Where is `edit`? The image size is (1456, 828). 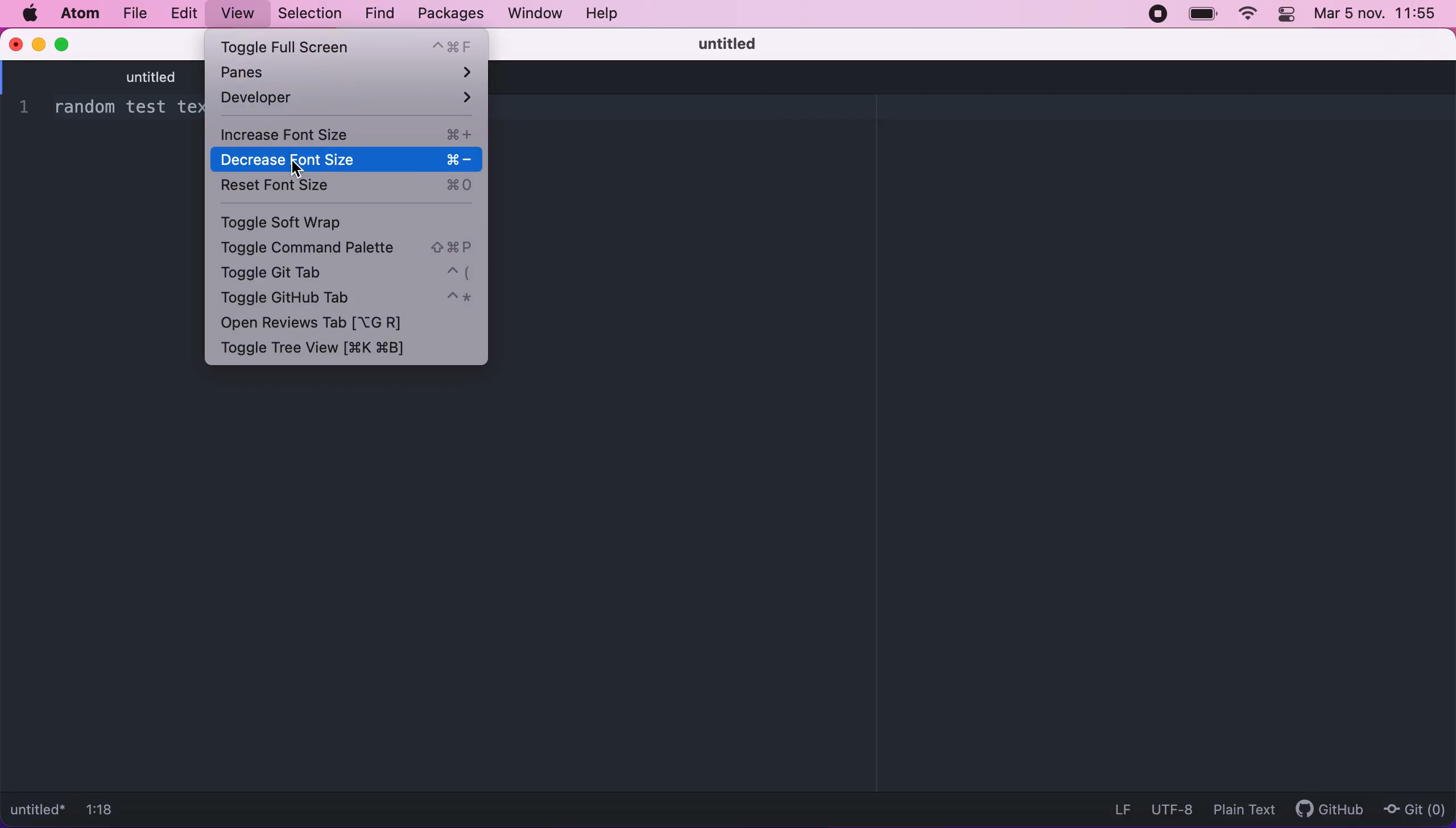 edit is located at coordinates (185, 13).